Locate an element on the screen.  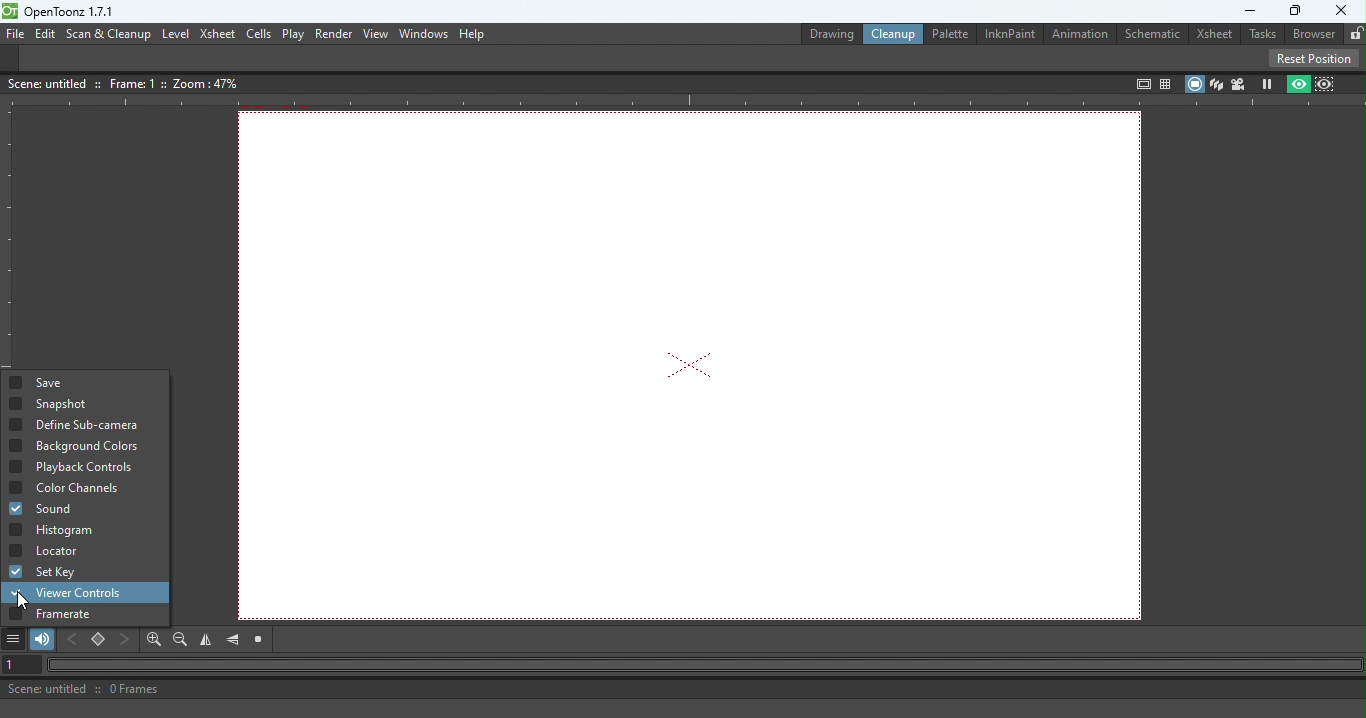
Camera view is located at coordinates (1240, 81).